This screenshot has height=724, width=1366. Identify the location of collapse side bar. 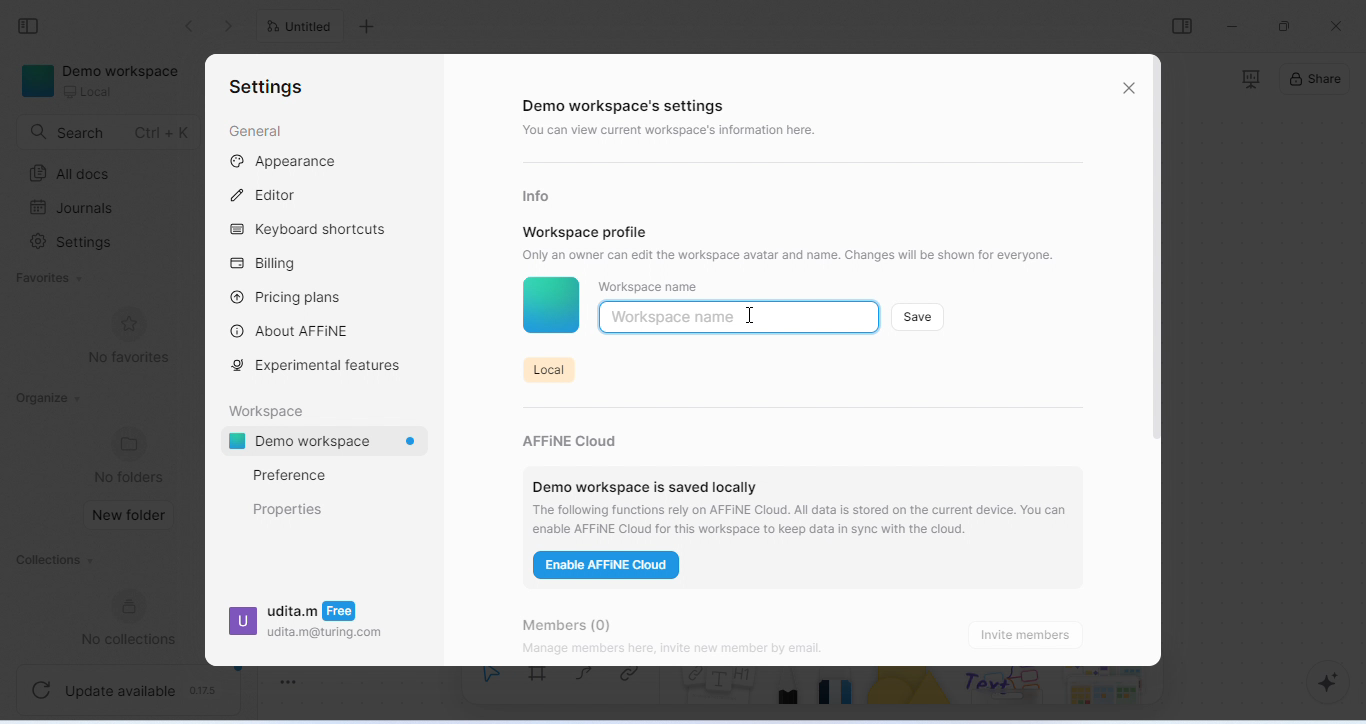
(34, 27).